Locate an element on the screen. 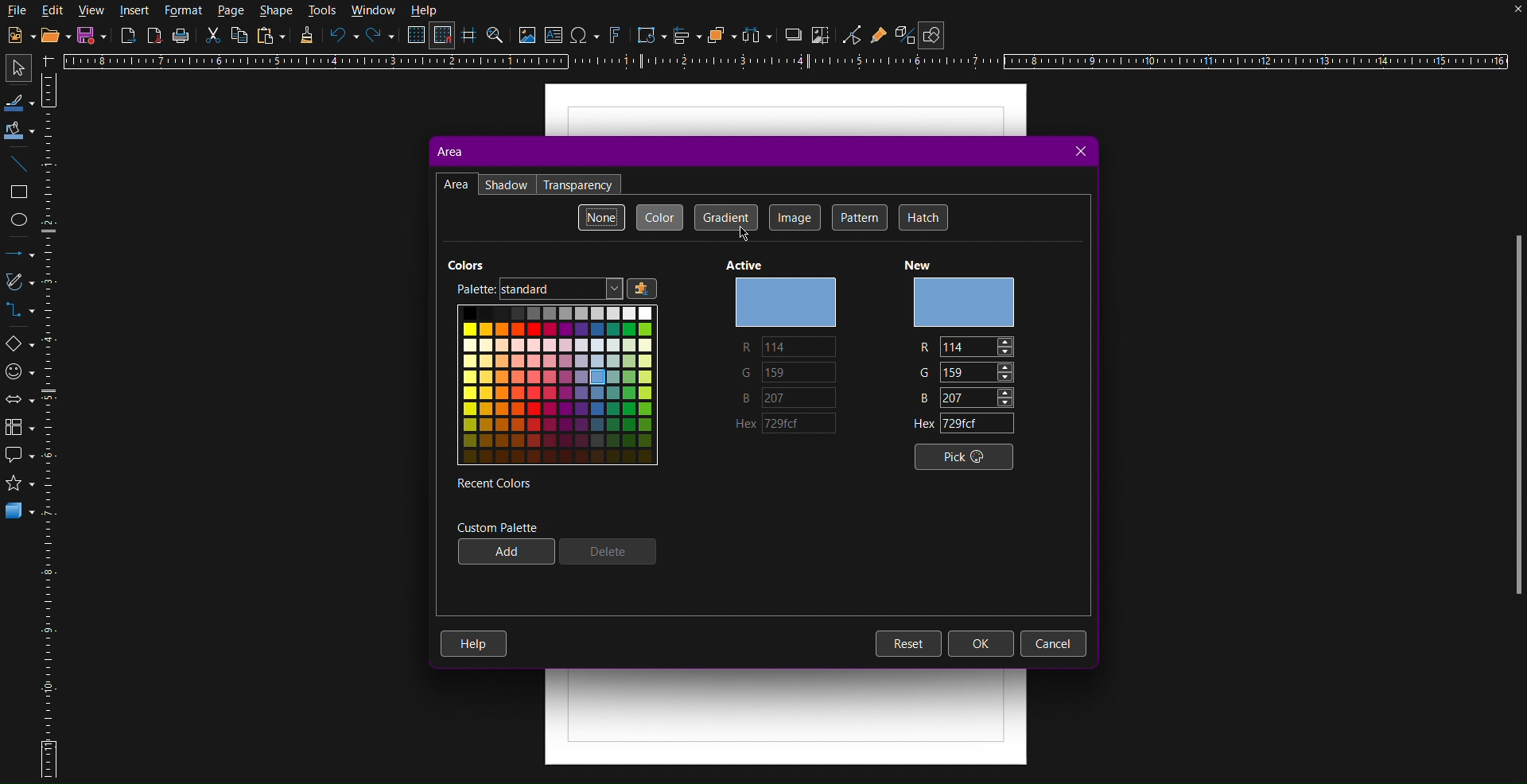 The height and width of the screenshot is (784, 1527). Line Color is located at coordinates (18, 101).